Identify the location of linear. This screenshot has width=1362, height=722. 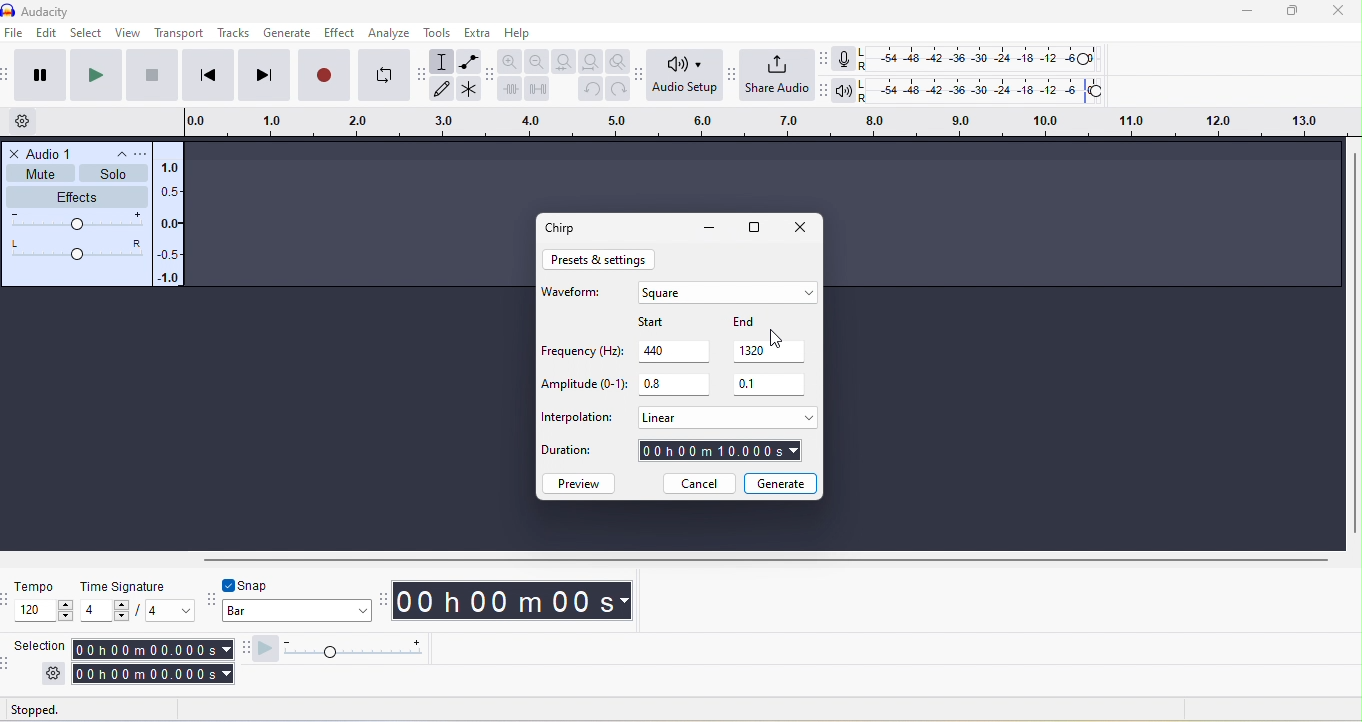
(725, 417).